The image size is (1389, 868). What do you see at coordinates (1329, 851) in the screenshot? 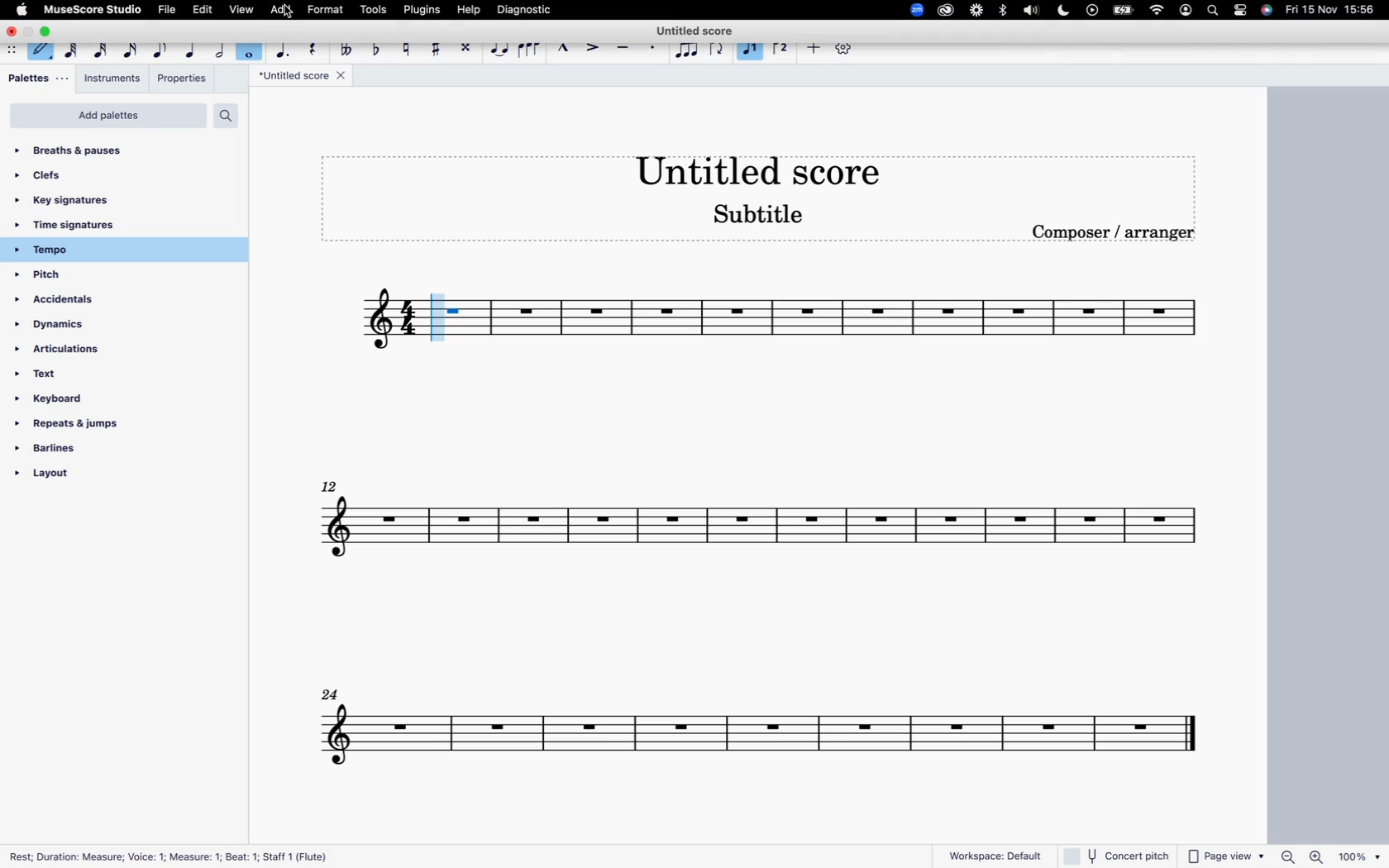
I see `zoom` at bounding box center [1329, 851].